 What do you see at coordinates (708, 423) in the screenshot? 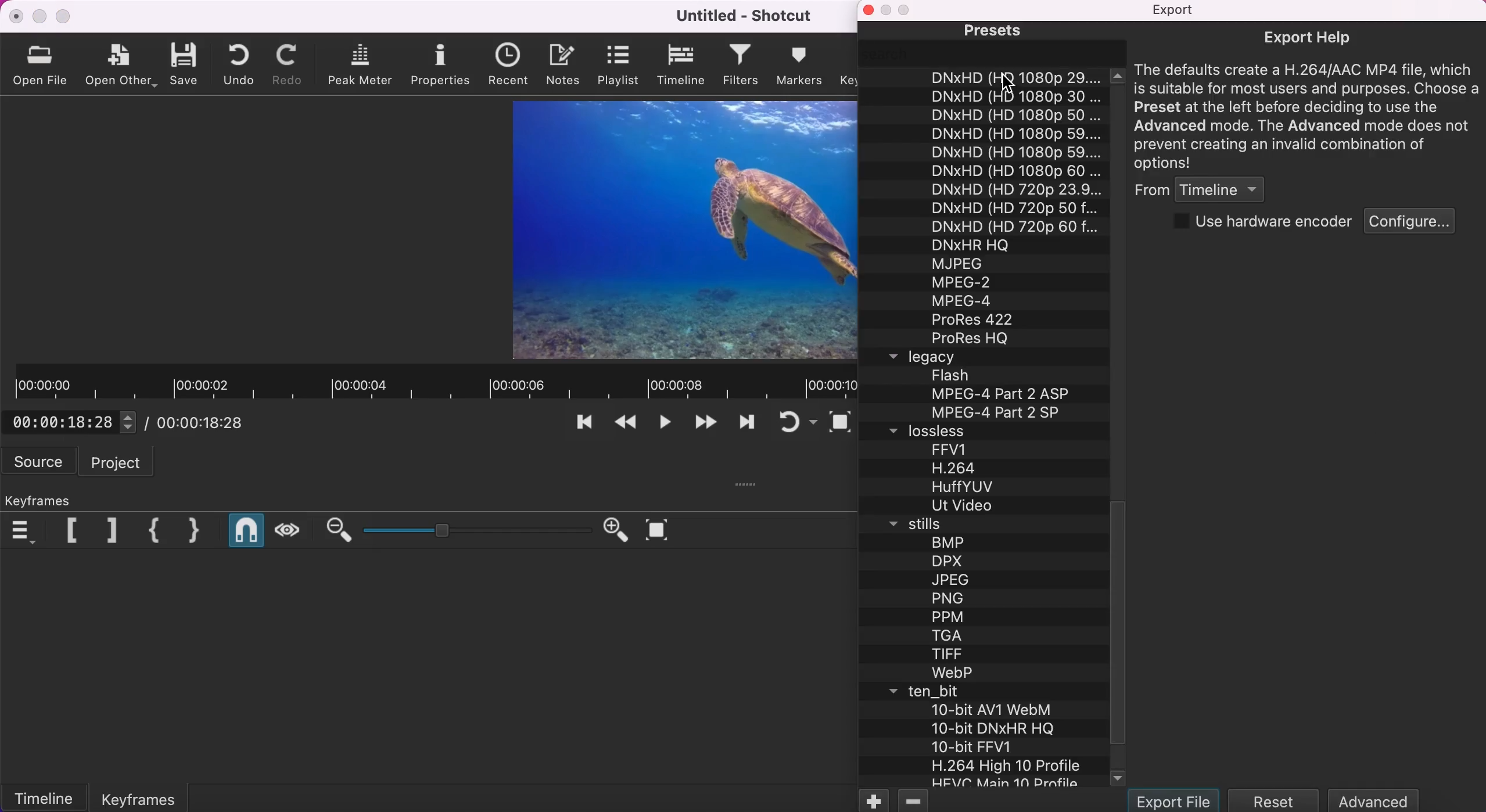
I see `skip to the next point` at bounding box center [708, 423].